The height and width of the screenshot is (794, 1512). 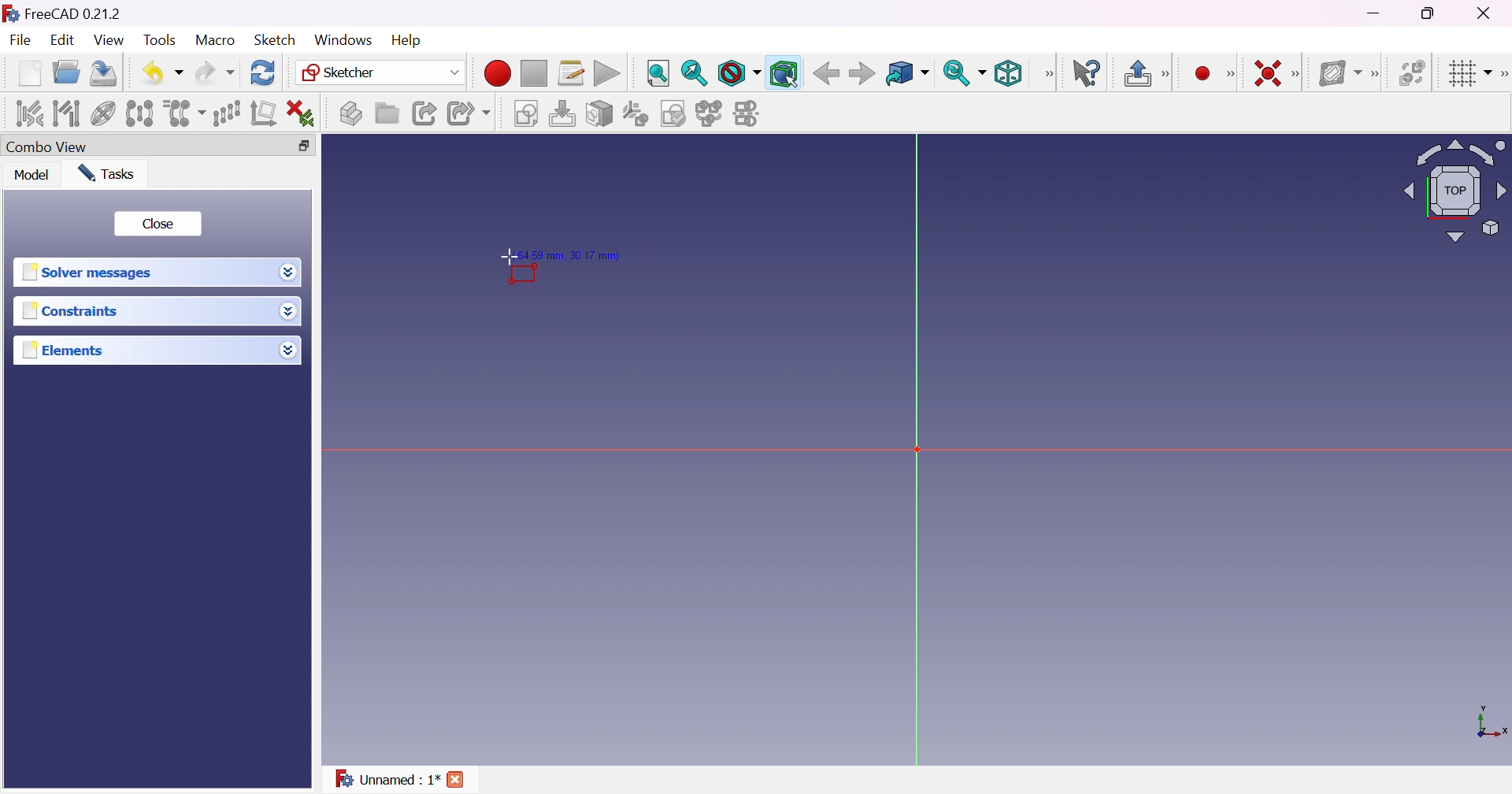 I want to click on Tools, so click(x=161, y=40).